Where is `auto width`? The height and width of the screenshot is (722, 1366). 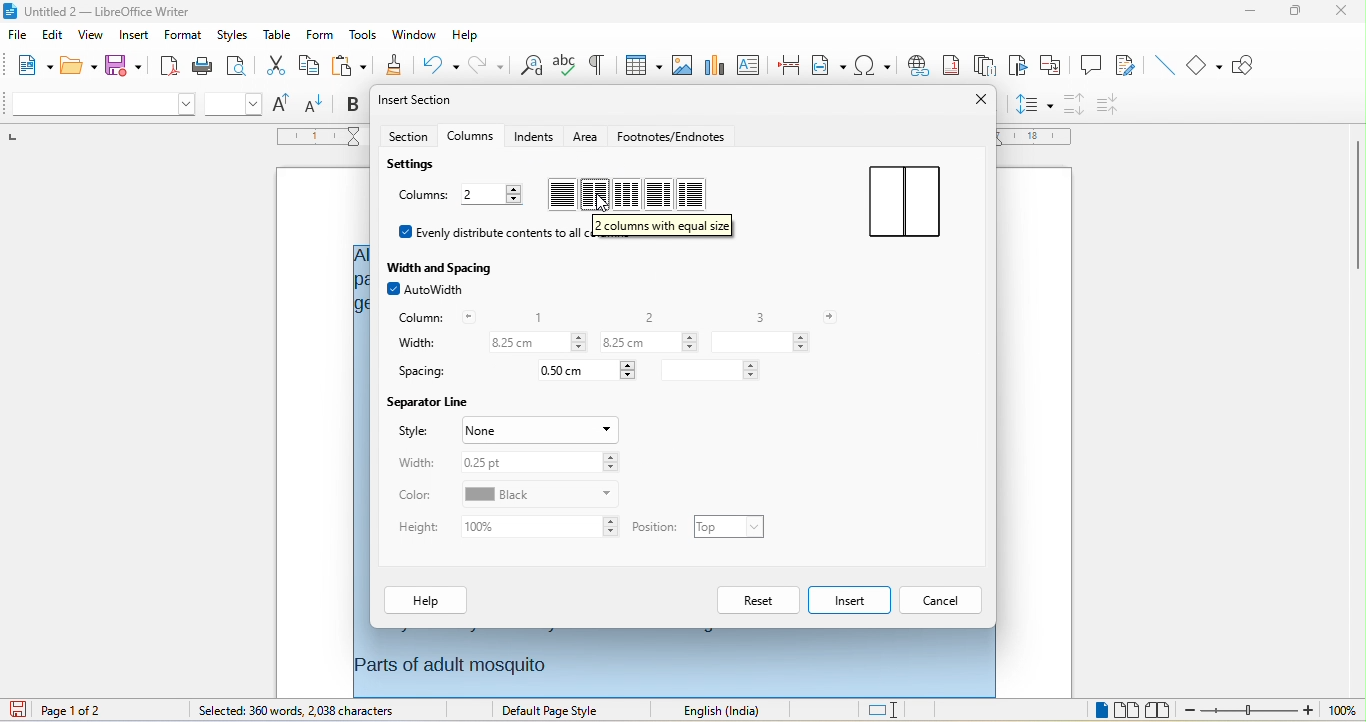 auto width is located at coordinates (427, 292).